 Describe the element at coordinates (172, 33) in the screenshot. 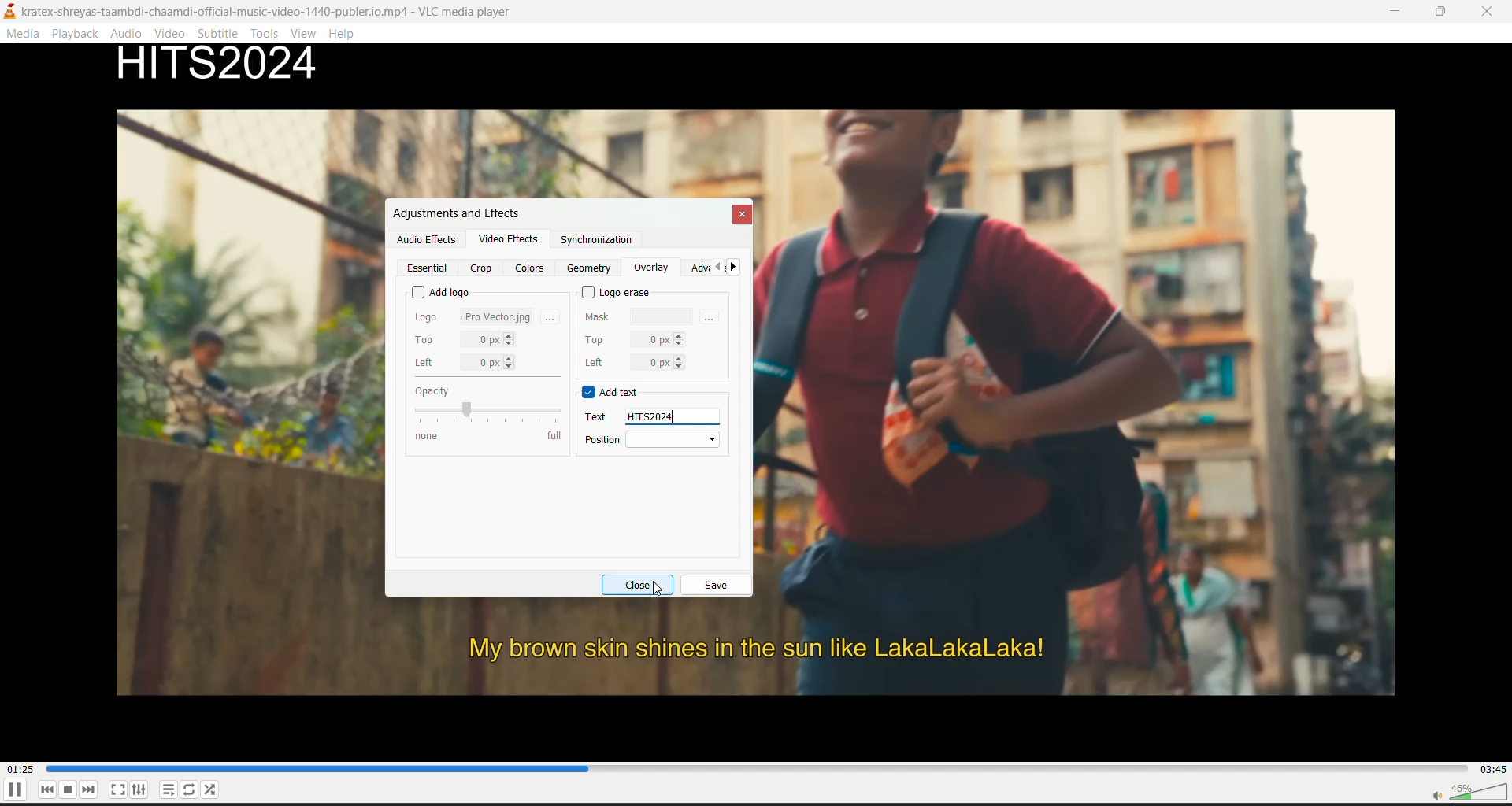

I see `video` at that location.